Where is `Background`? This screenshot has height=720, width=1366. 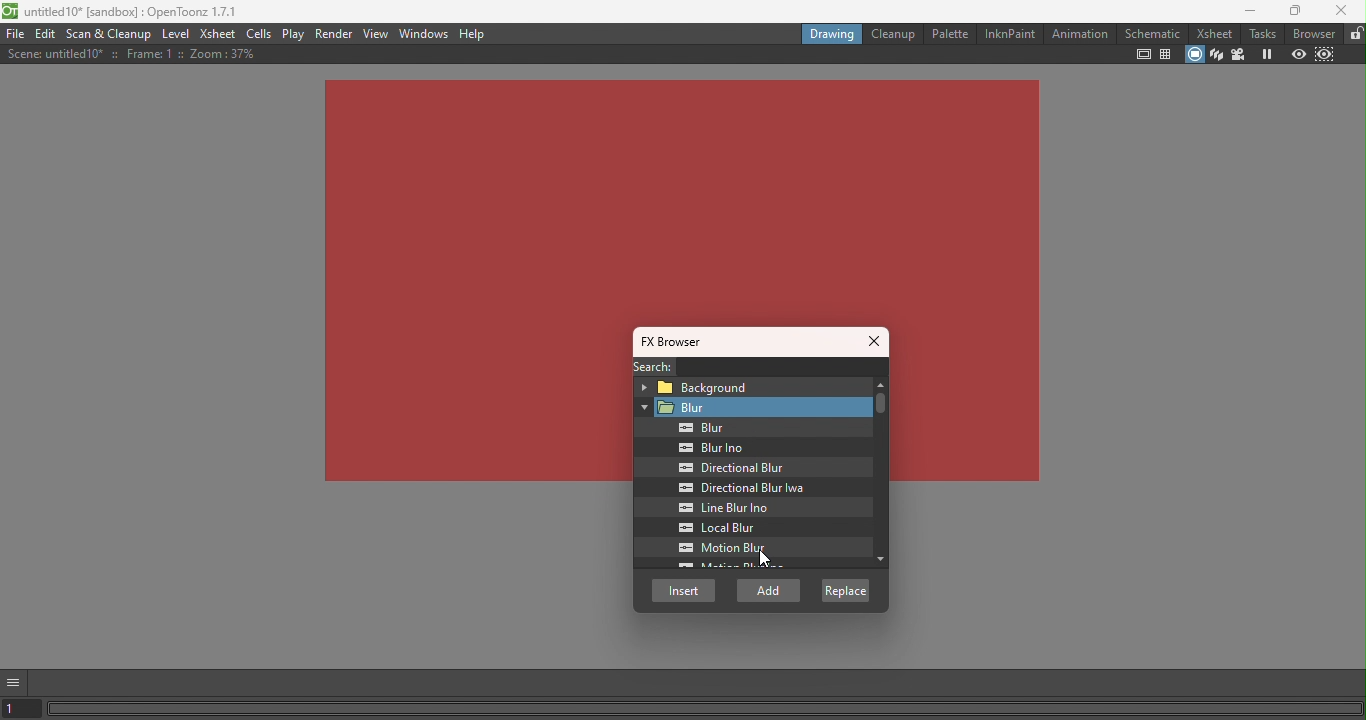
Background is located at coordinates (748, 386).